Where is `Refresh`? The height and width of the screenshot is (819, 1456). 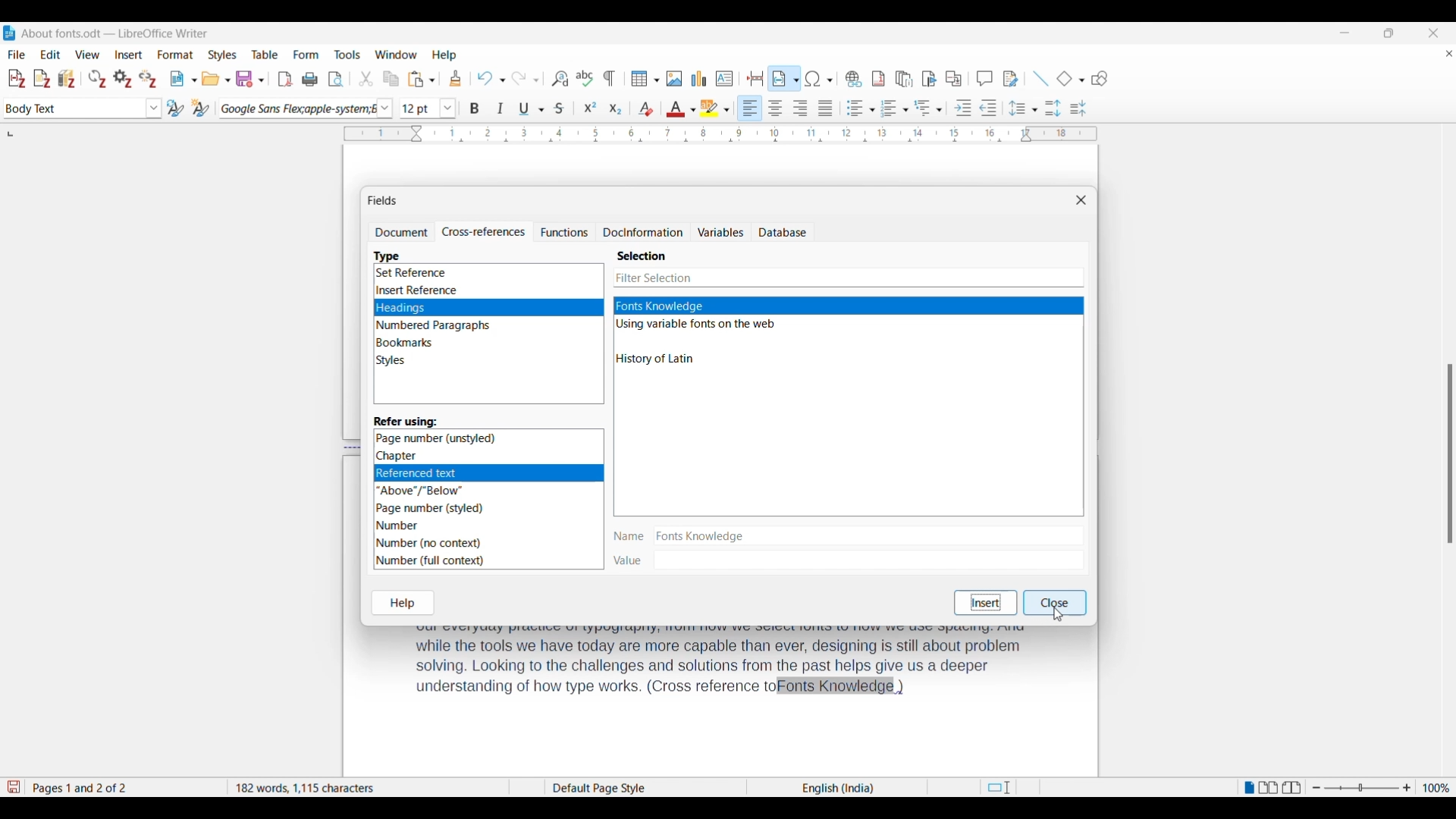
Refresh is located at coordinates (98, 79).